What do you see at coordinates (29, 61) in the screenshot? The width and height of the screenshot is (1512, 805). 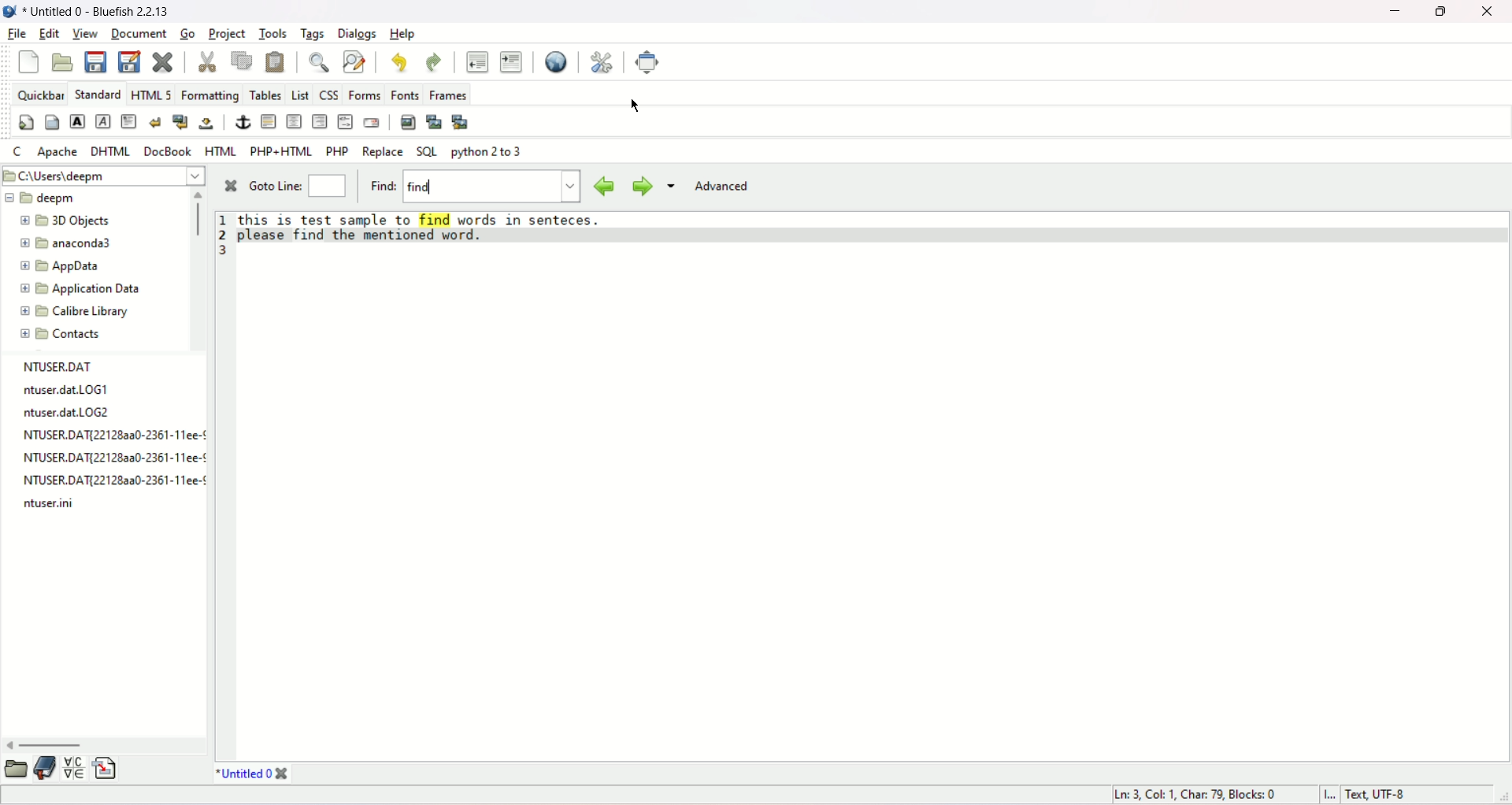 I see `new` at bounding box center [29, 61].